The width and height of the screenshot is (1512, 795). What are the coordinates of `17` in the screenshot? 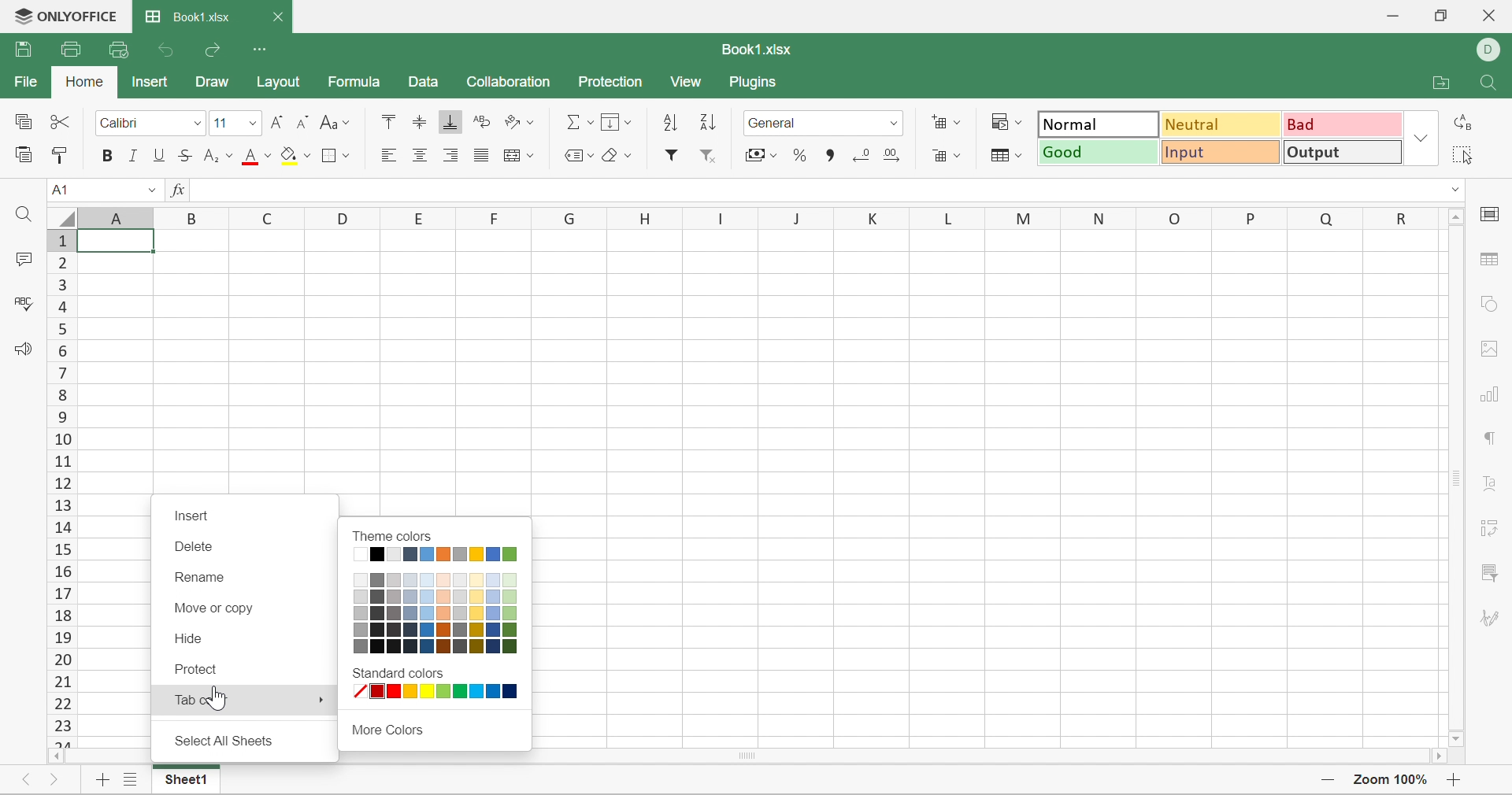 It's located at (58, 593).